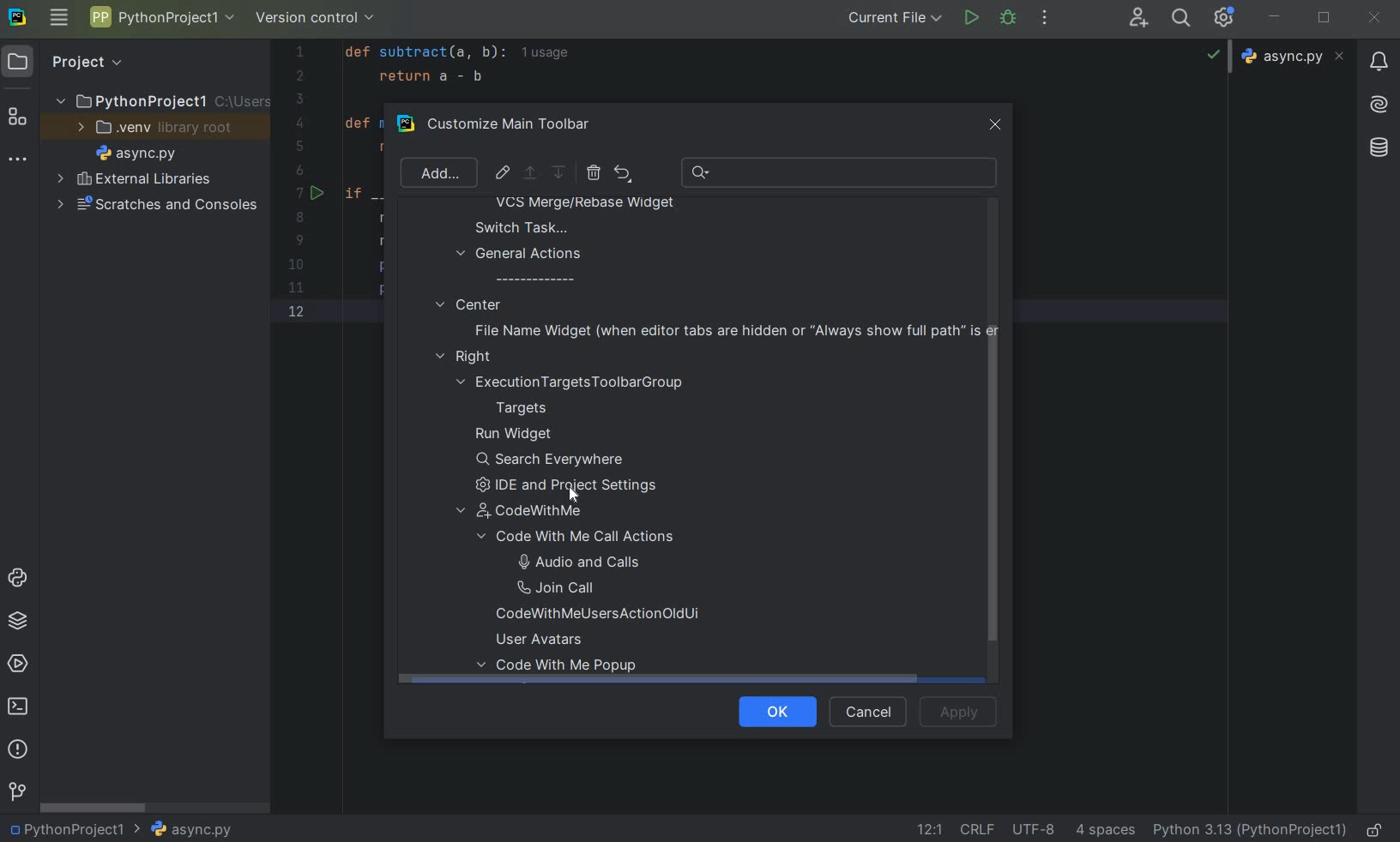 The height and width of the screenshot is (842, 1400). I want to click on FILE NAME, so click(132, 154).